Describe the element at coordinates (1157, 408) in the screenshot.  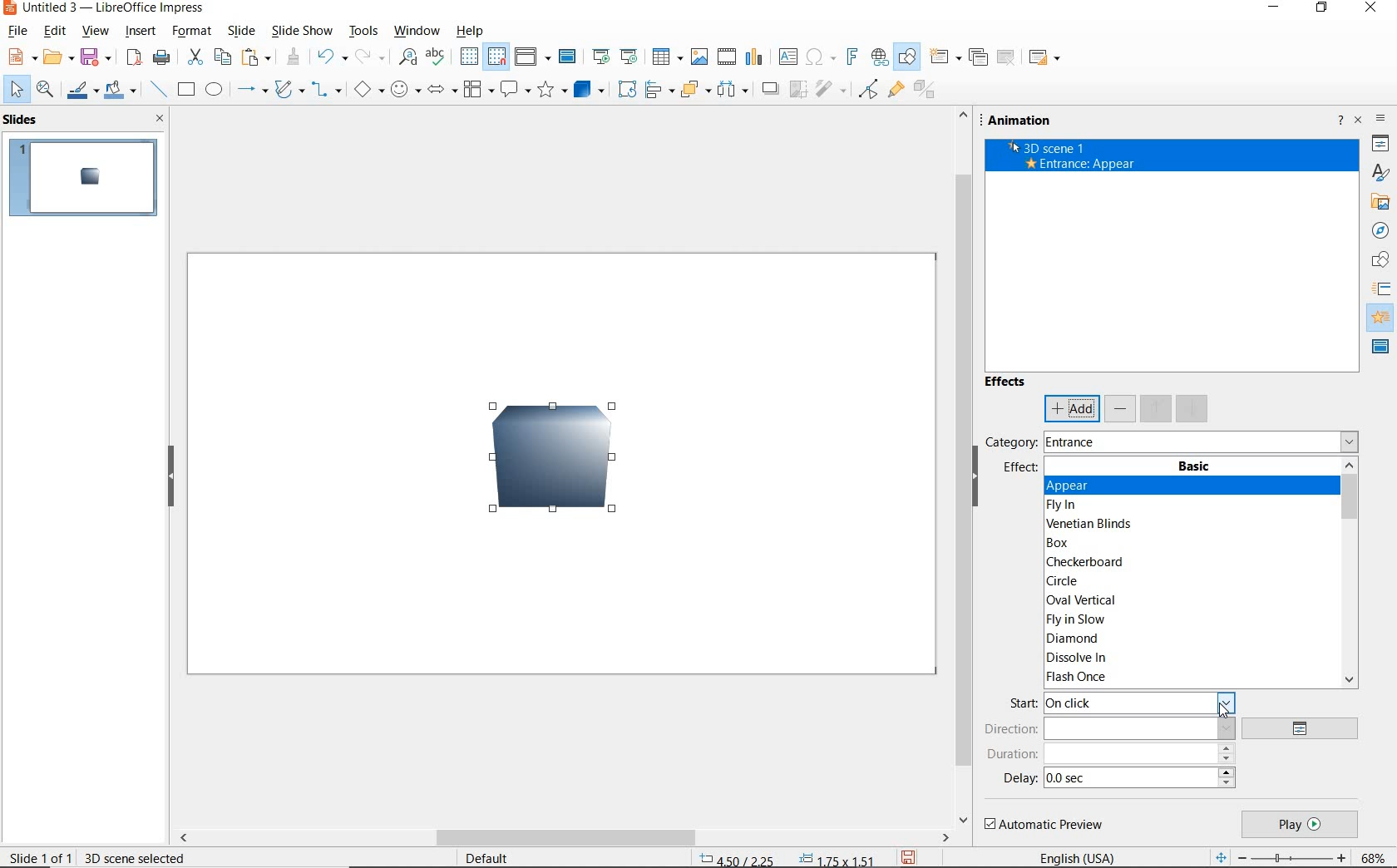
I see `move up` at that location.